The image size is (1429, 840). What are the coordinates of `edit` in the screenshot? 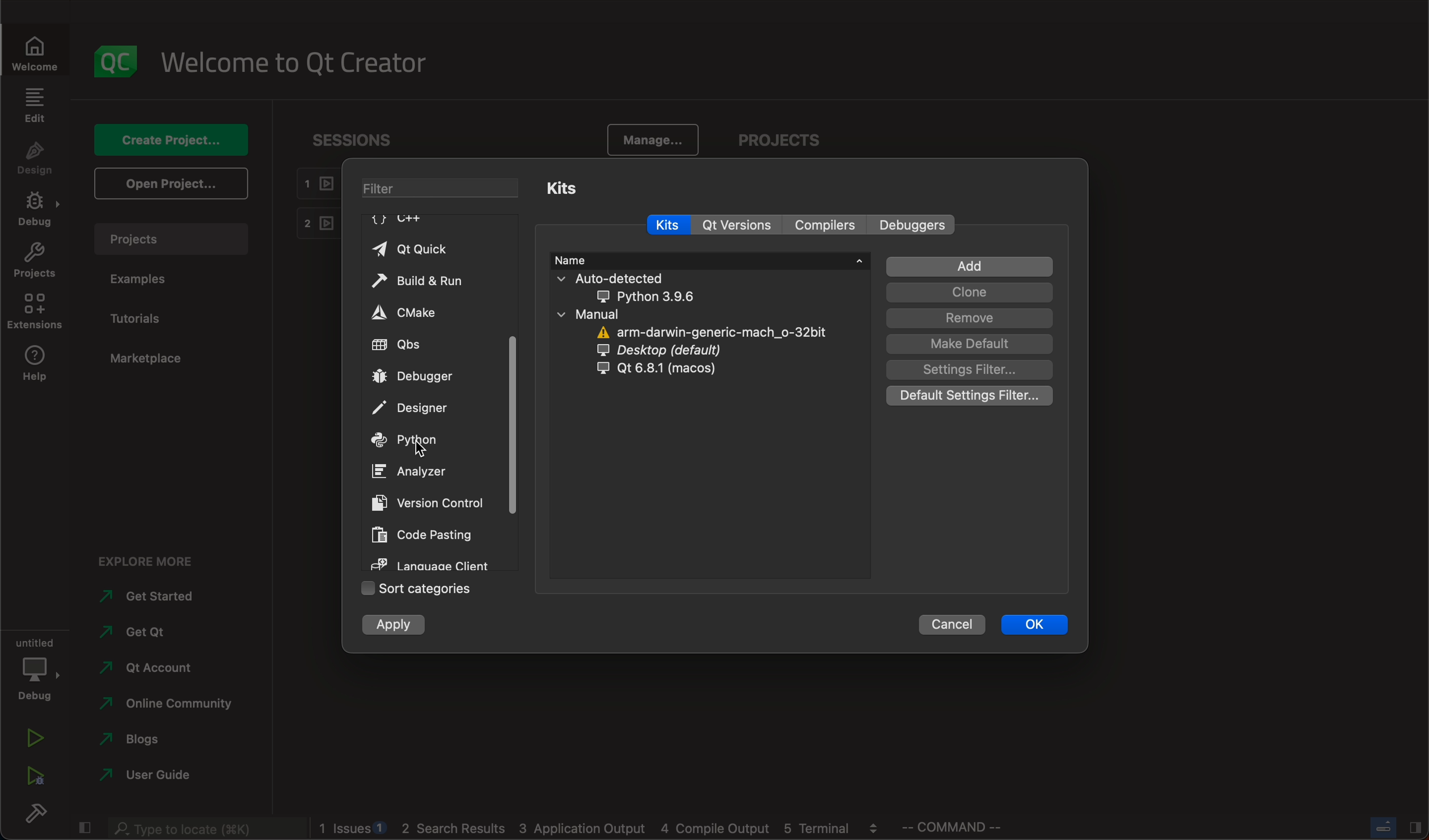 It's located at (33, 106).